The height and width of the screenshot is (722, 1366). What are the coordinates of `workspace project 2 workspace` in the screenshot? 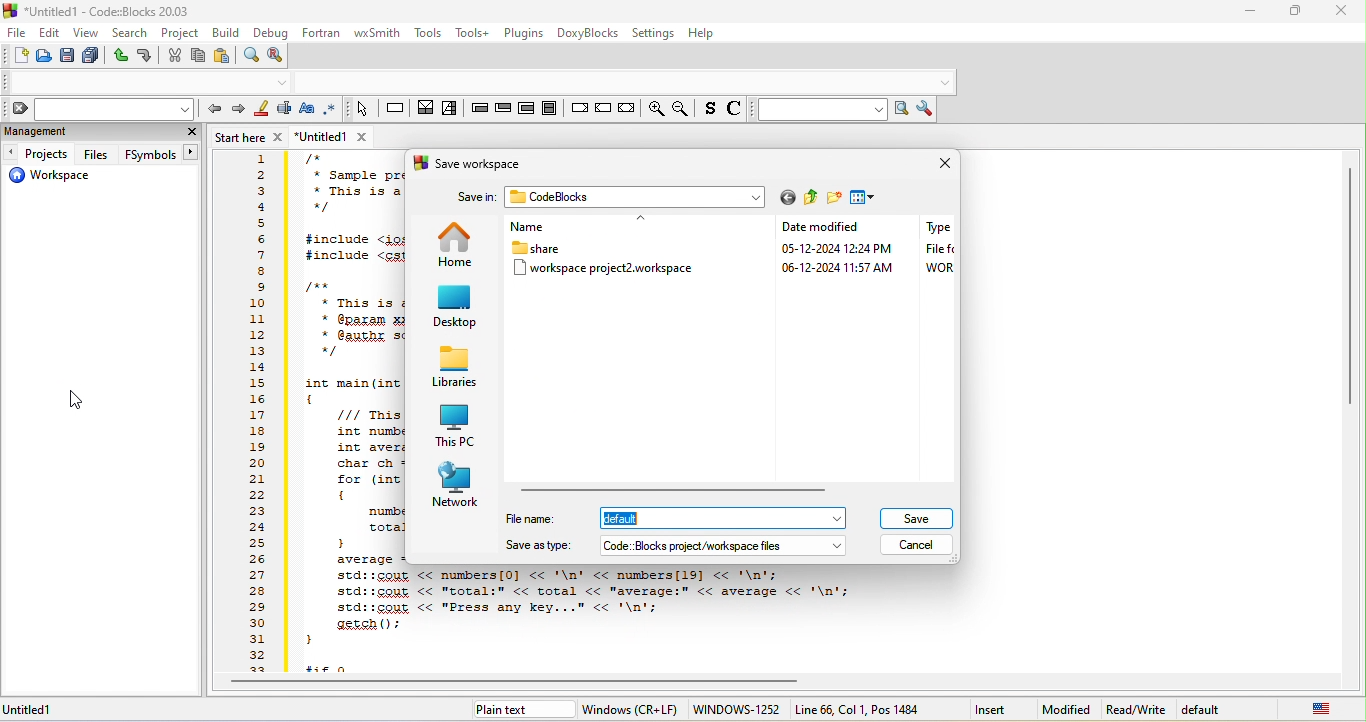 It's located at (608, 271).